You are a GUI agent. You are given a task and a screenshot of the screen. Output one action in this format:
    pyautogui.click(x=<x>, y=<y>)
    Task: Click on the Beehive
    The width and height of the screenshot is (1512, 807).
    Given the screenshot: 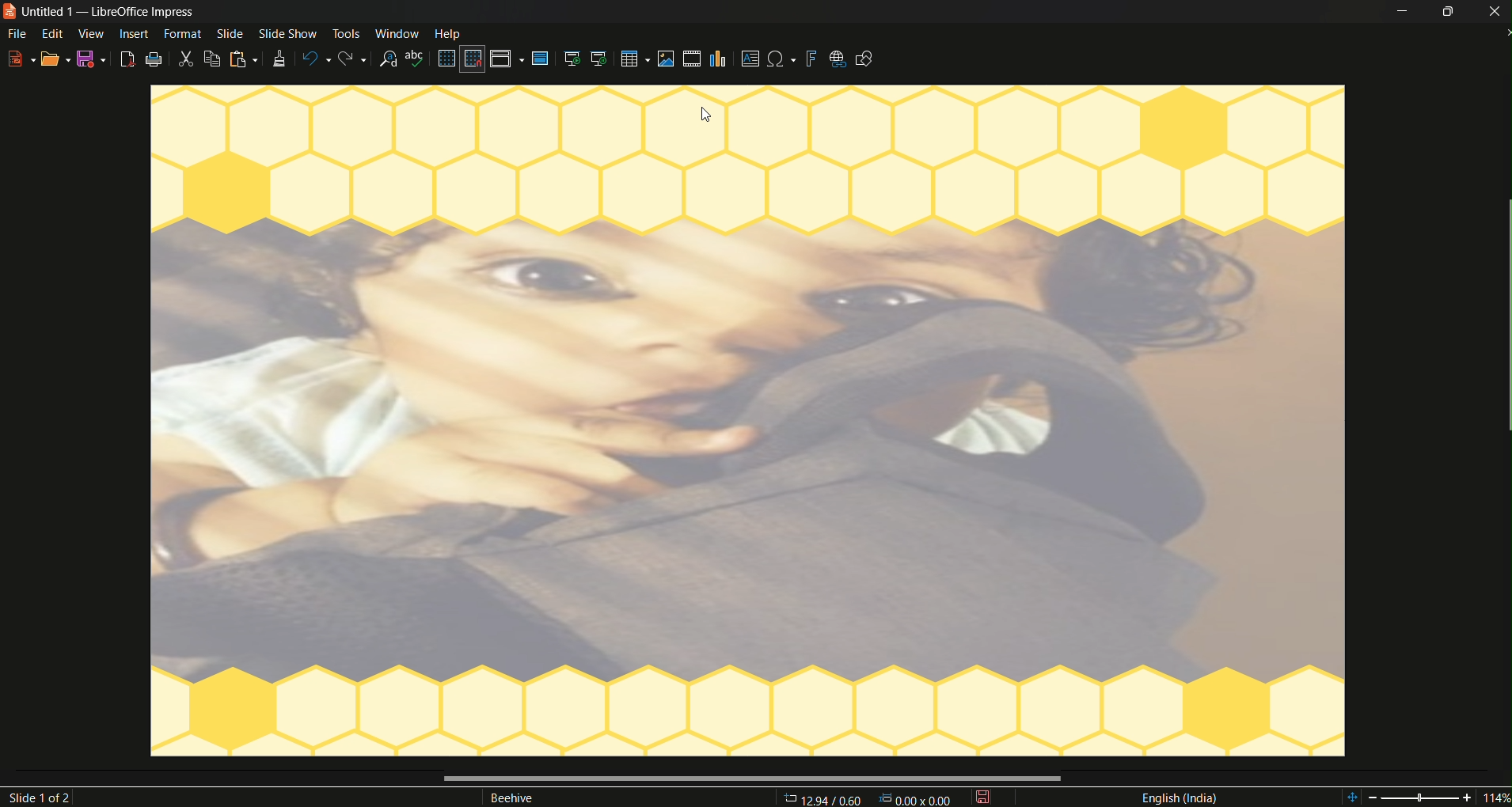 What is the action you would take?
    pyautogui.click(x=518, y=798)
    